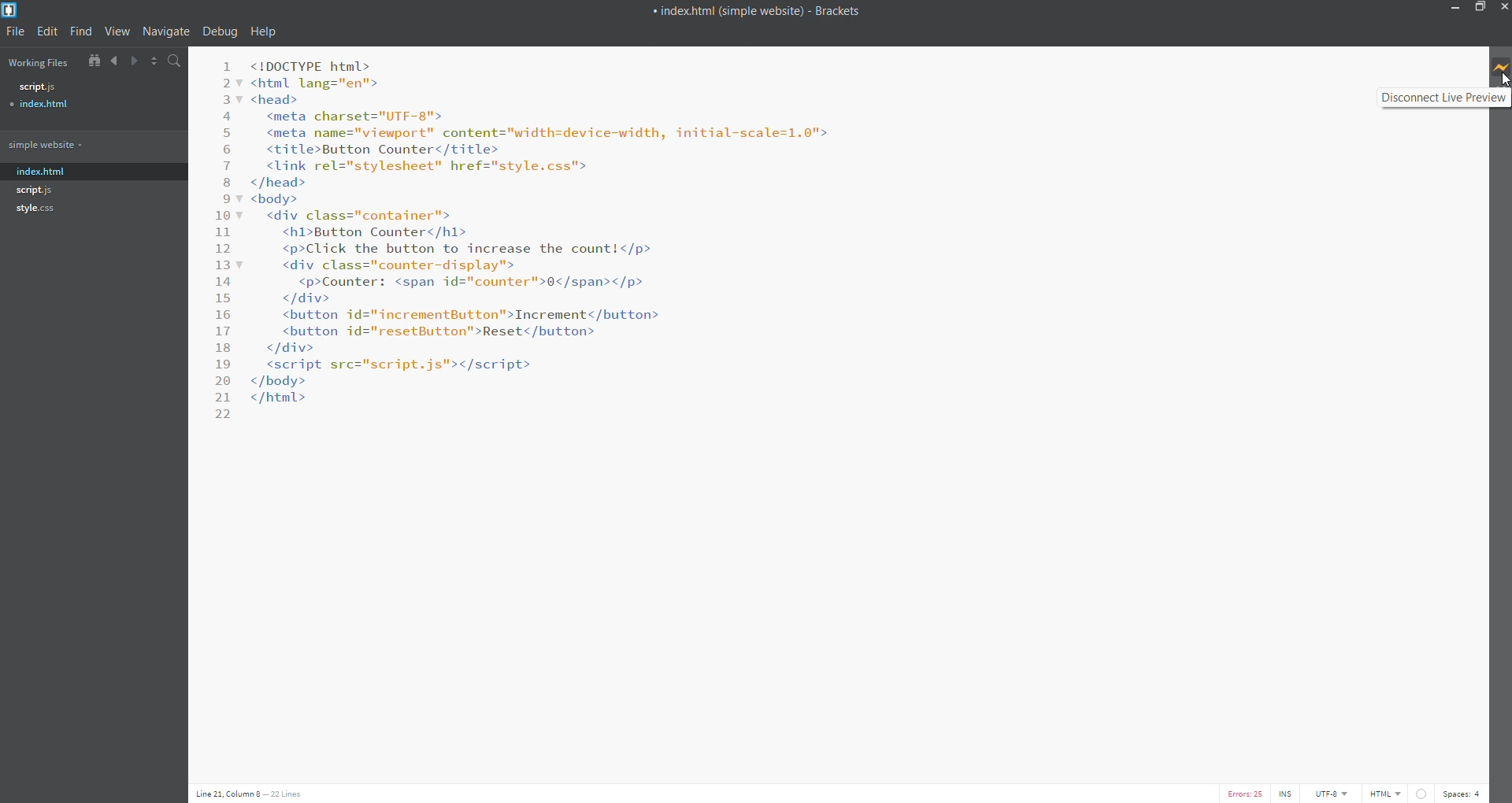 The image size is (1512, 803). Describe the element at coordinates (1334, 794) in the screenshot. I see `encoding type` at that location.